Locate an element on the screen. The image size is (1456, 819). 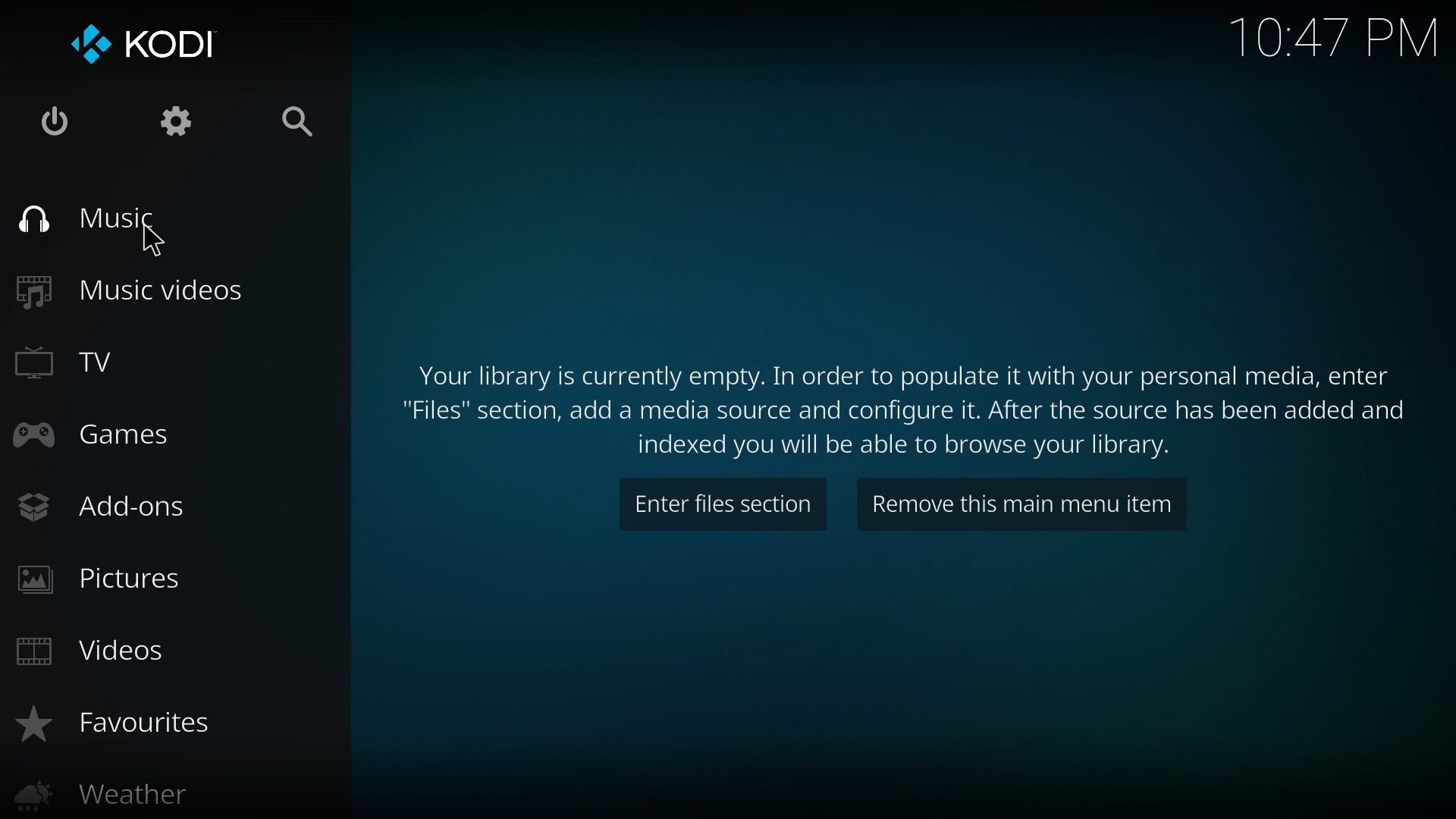
remove this item is located at coordinates (1028, 504).